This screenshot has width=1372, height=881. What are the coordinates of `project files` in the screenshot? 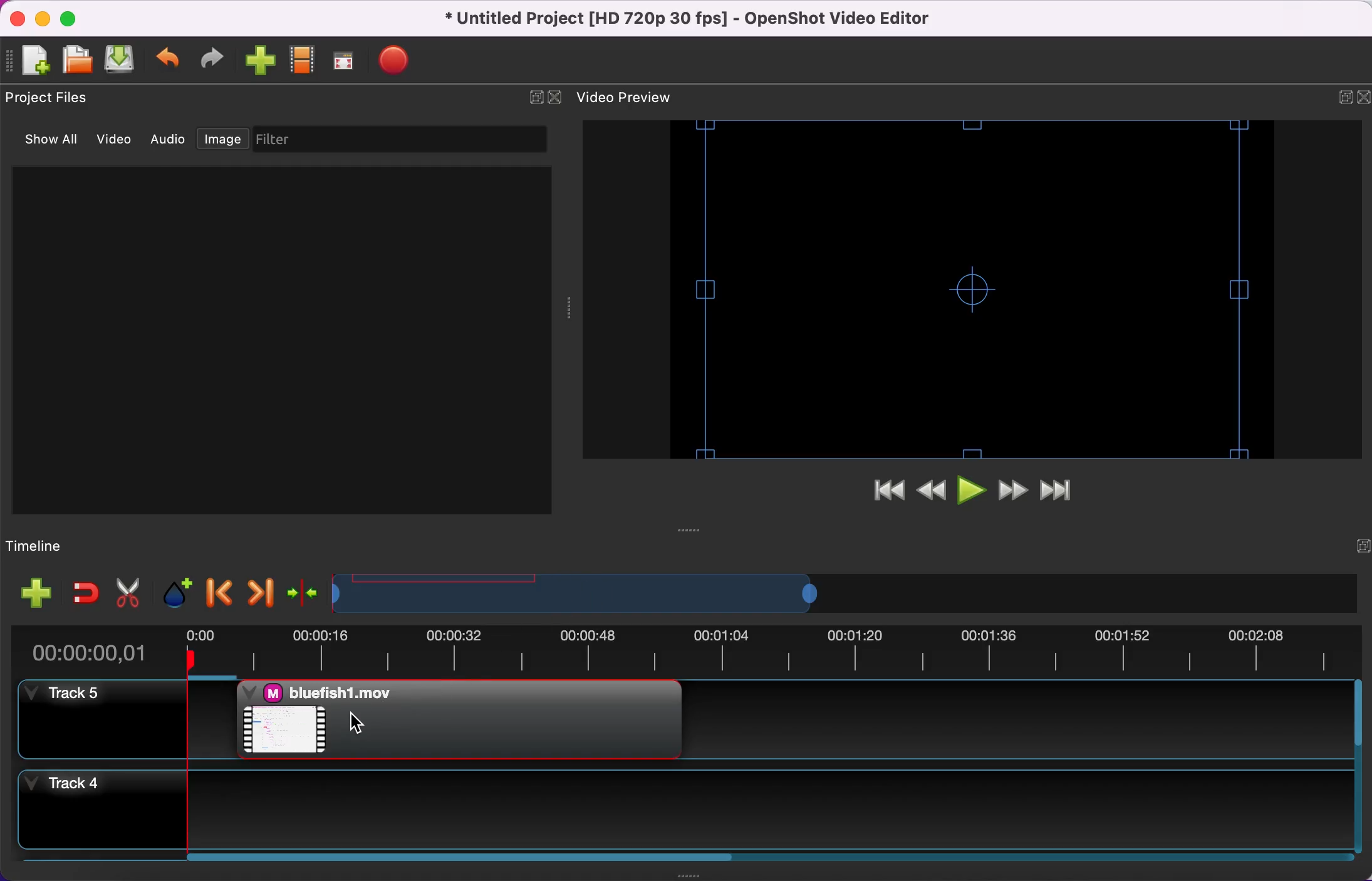 It's located at (53, 97).